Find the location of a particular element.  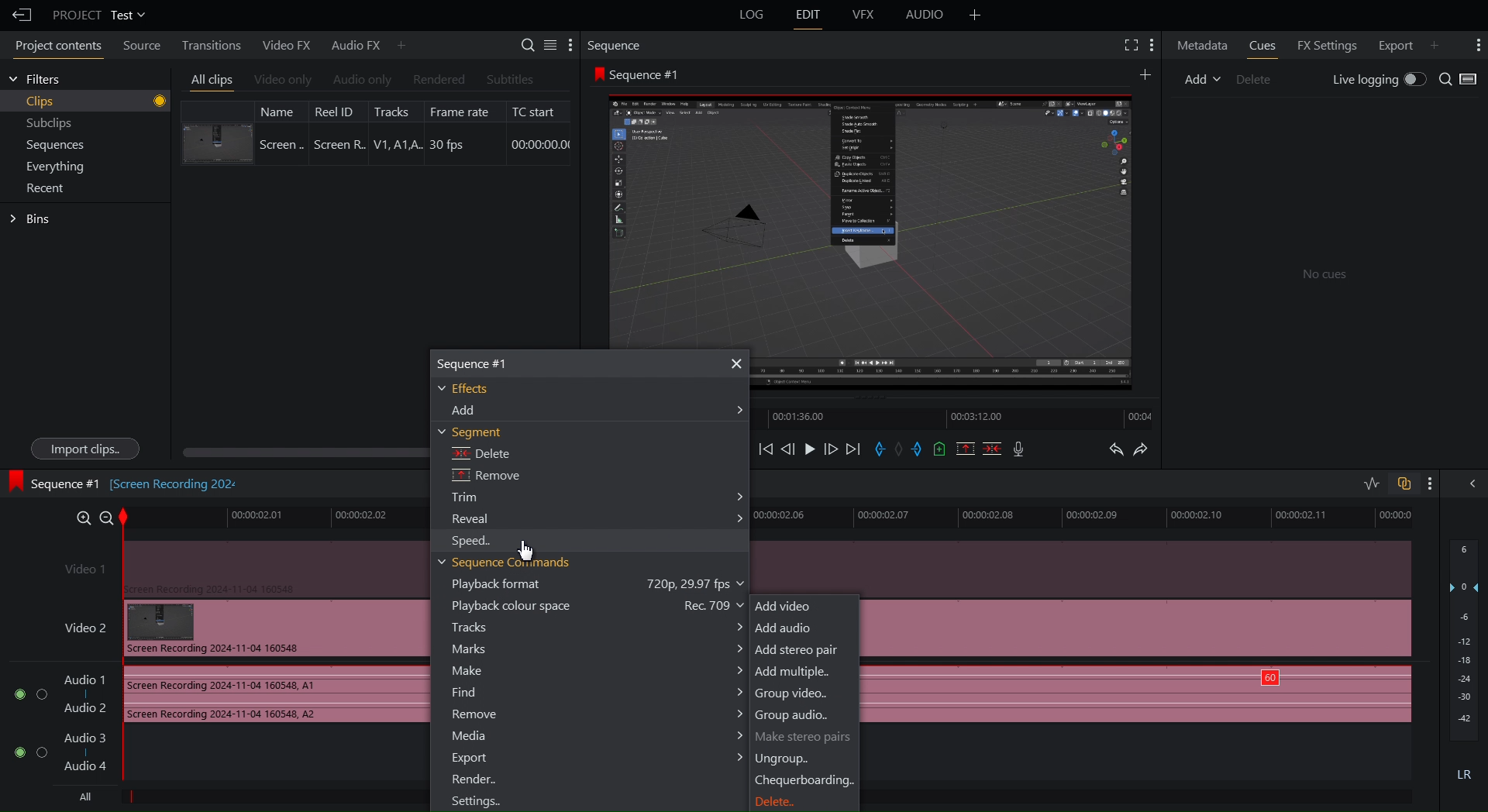

Group video is located at coordinates (794, 694).